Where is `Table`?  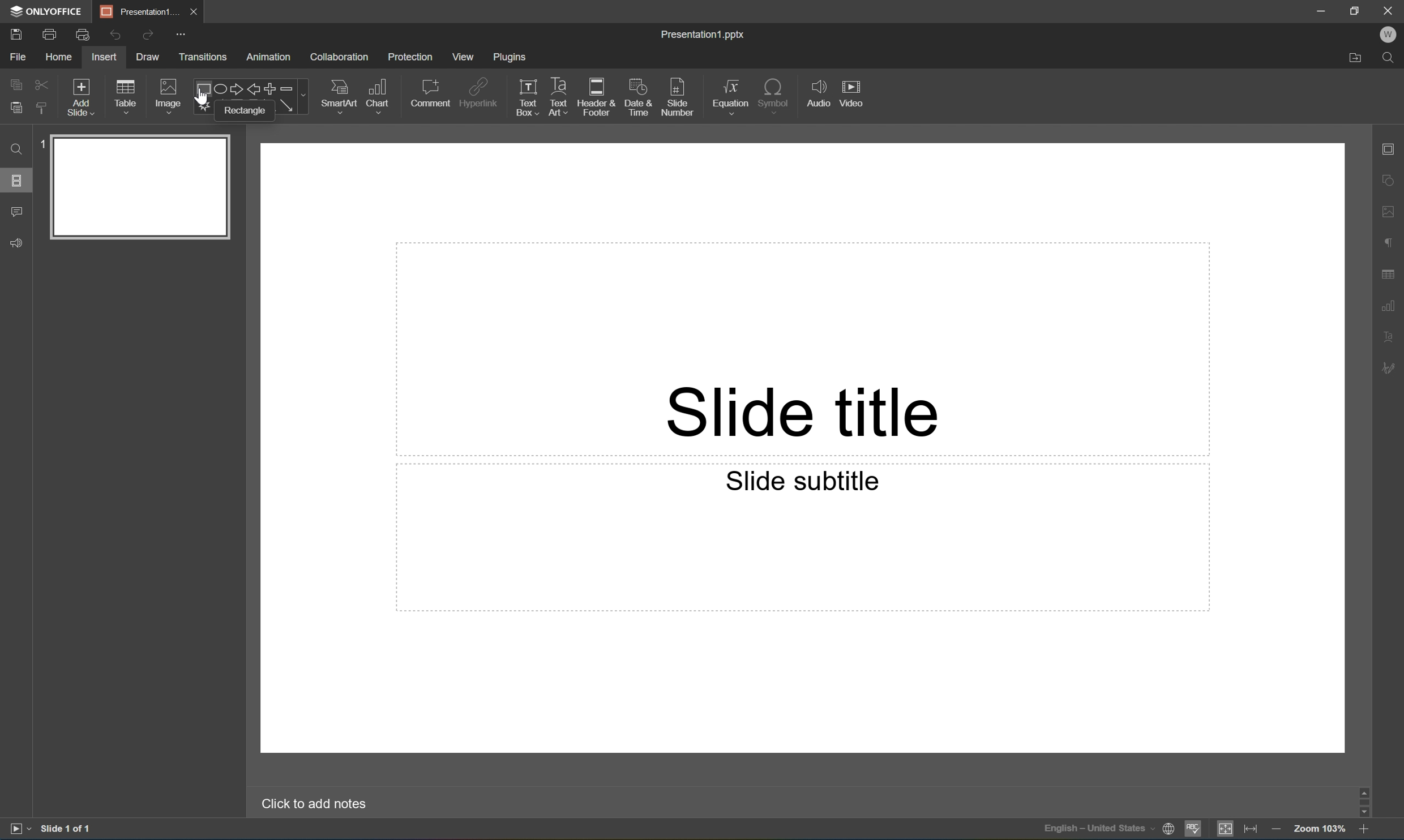
Table is located at coordinates (126, 96).